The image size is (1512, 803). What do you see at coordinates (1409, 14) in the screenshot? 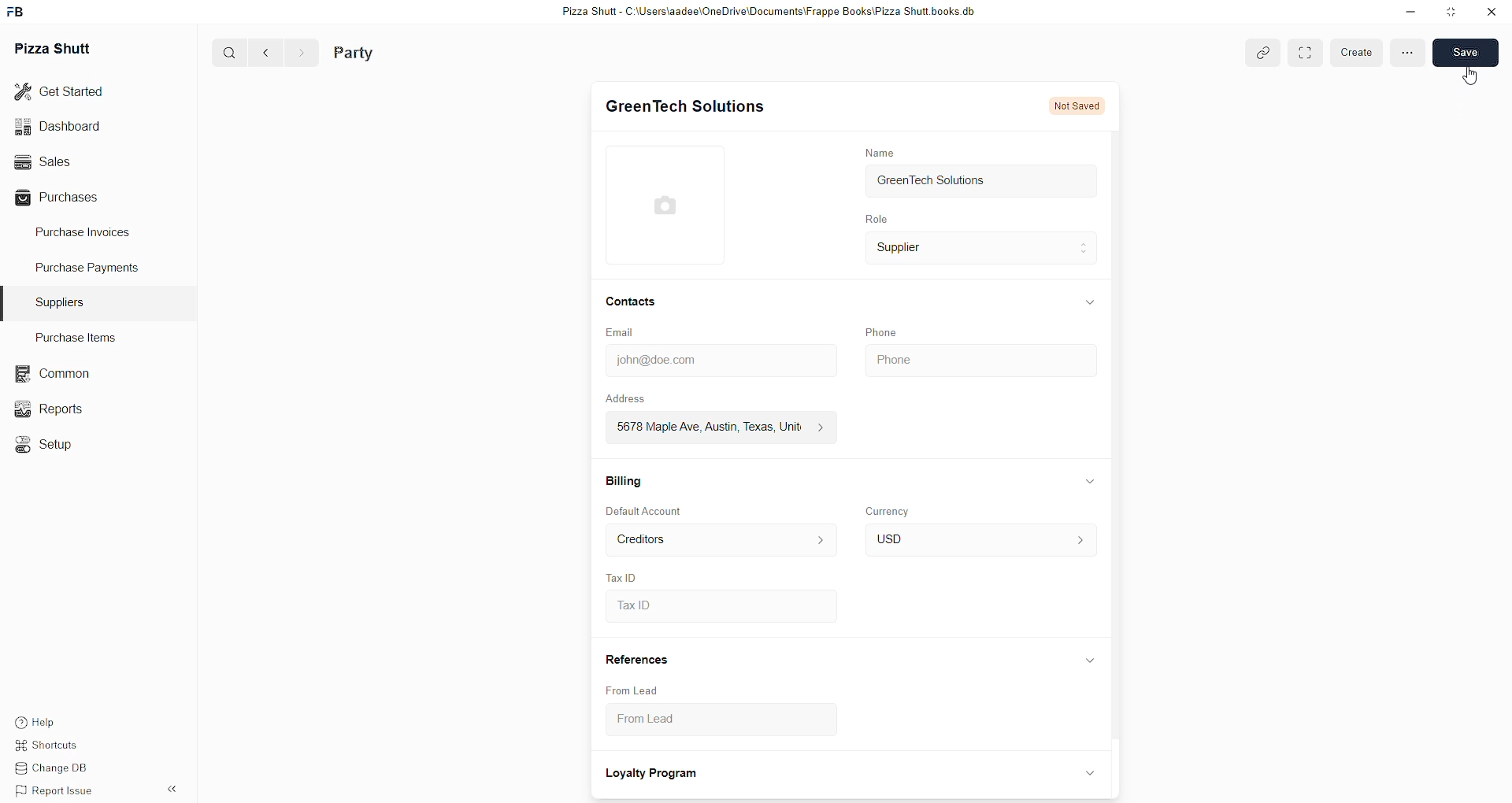
I see `minimize` at bounding box center [1409, 14].